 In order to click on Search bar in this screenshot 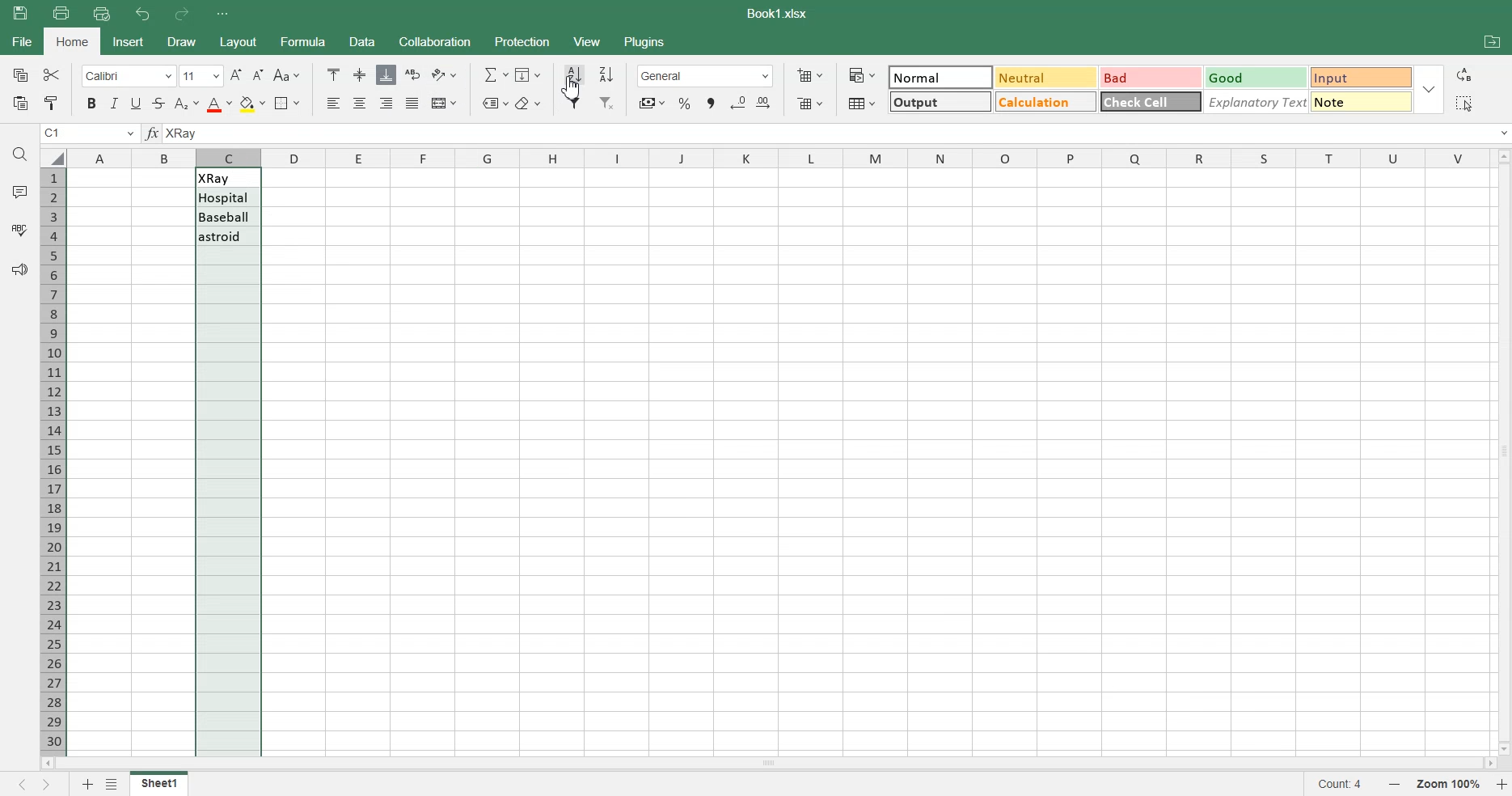, I will do `click(840, 134)`.